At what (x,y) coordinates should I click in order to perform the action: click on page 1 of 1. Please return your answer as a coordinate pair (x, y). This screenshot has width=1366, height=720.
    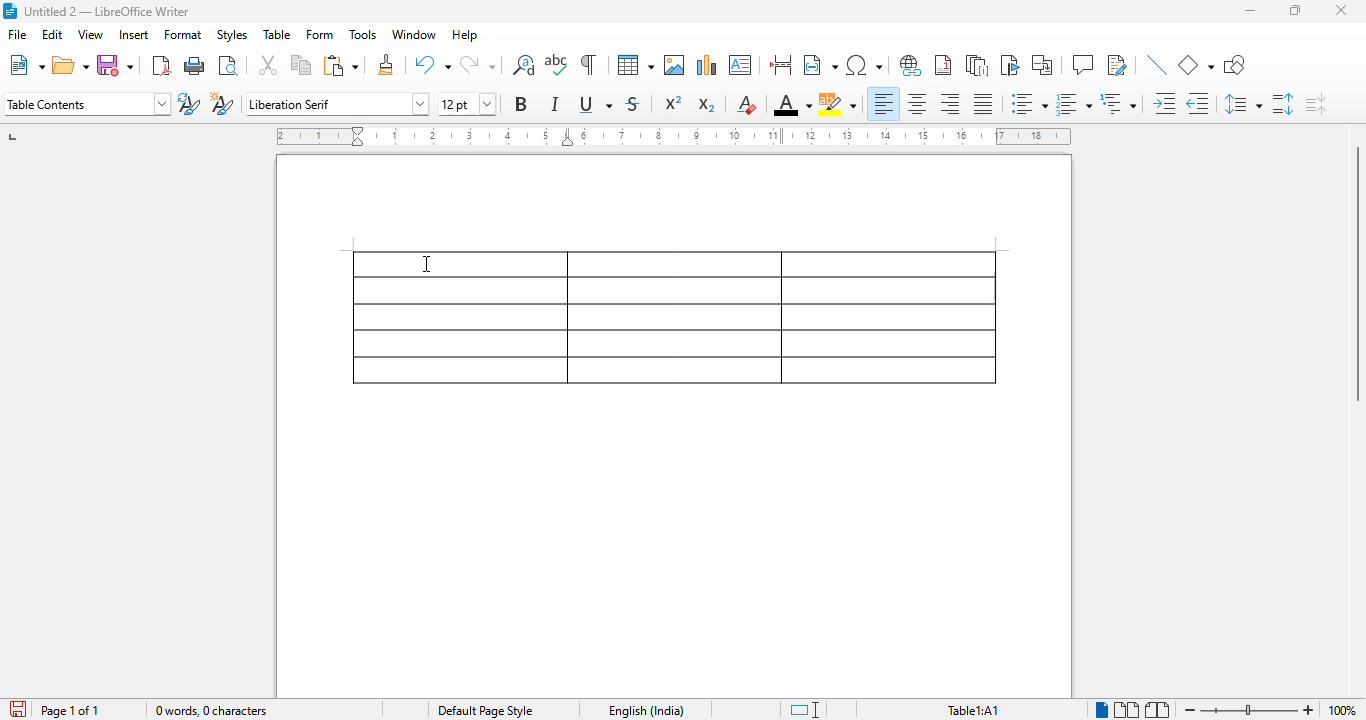
    Looking at the image, I should click on (71, 710).